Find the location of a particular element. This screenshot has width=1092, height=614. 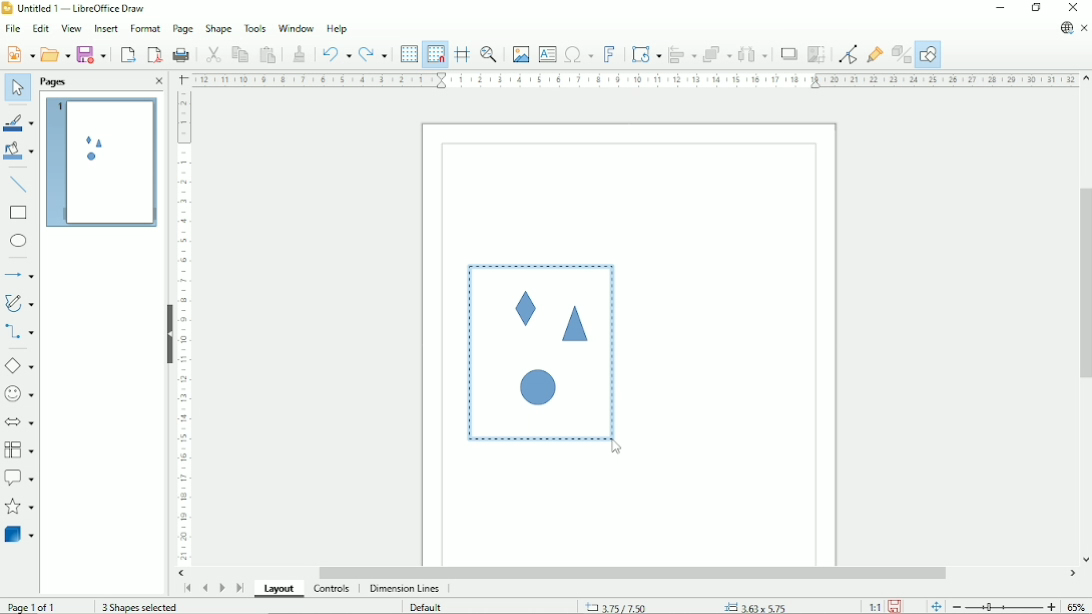

Pages is located at coordinates (55, 82).